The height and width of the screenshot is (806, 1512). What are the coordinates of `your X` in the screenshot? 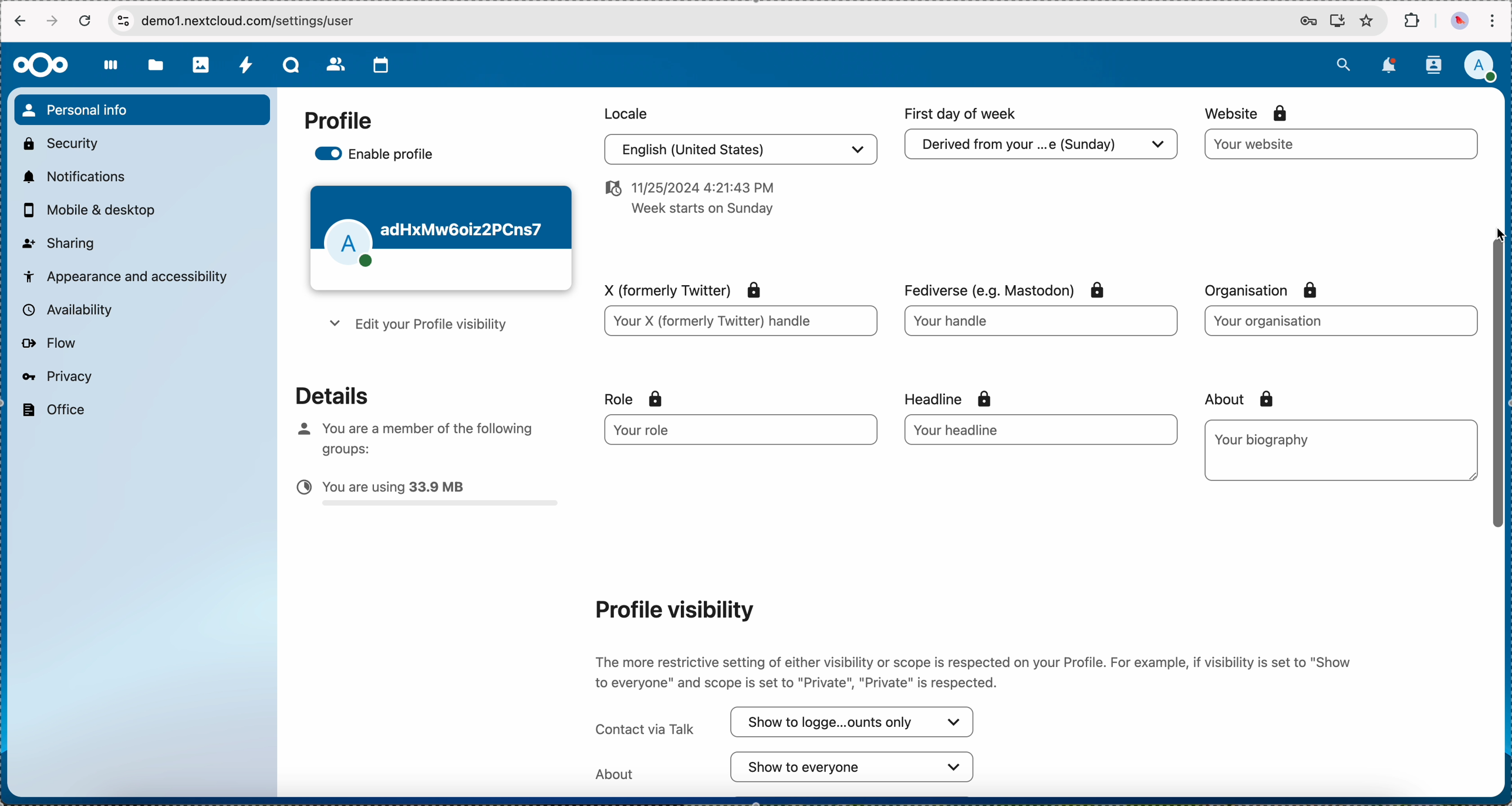 It's located at (740, 323).